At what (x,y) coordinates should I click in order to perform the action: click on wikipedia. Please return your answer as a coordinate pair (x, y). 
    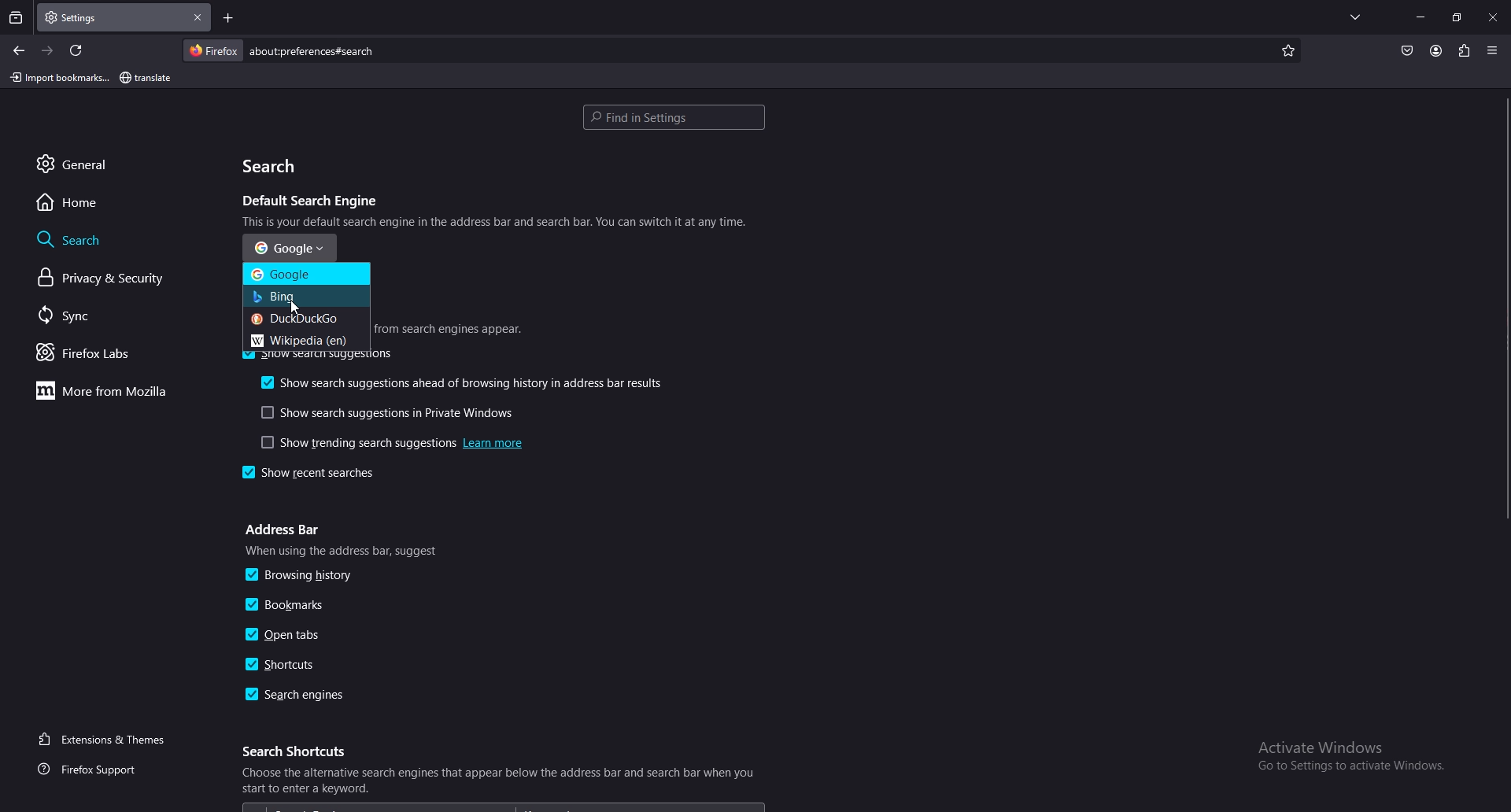
    Looking at the image, I should click on (305, 339).